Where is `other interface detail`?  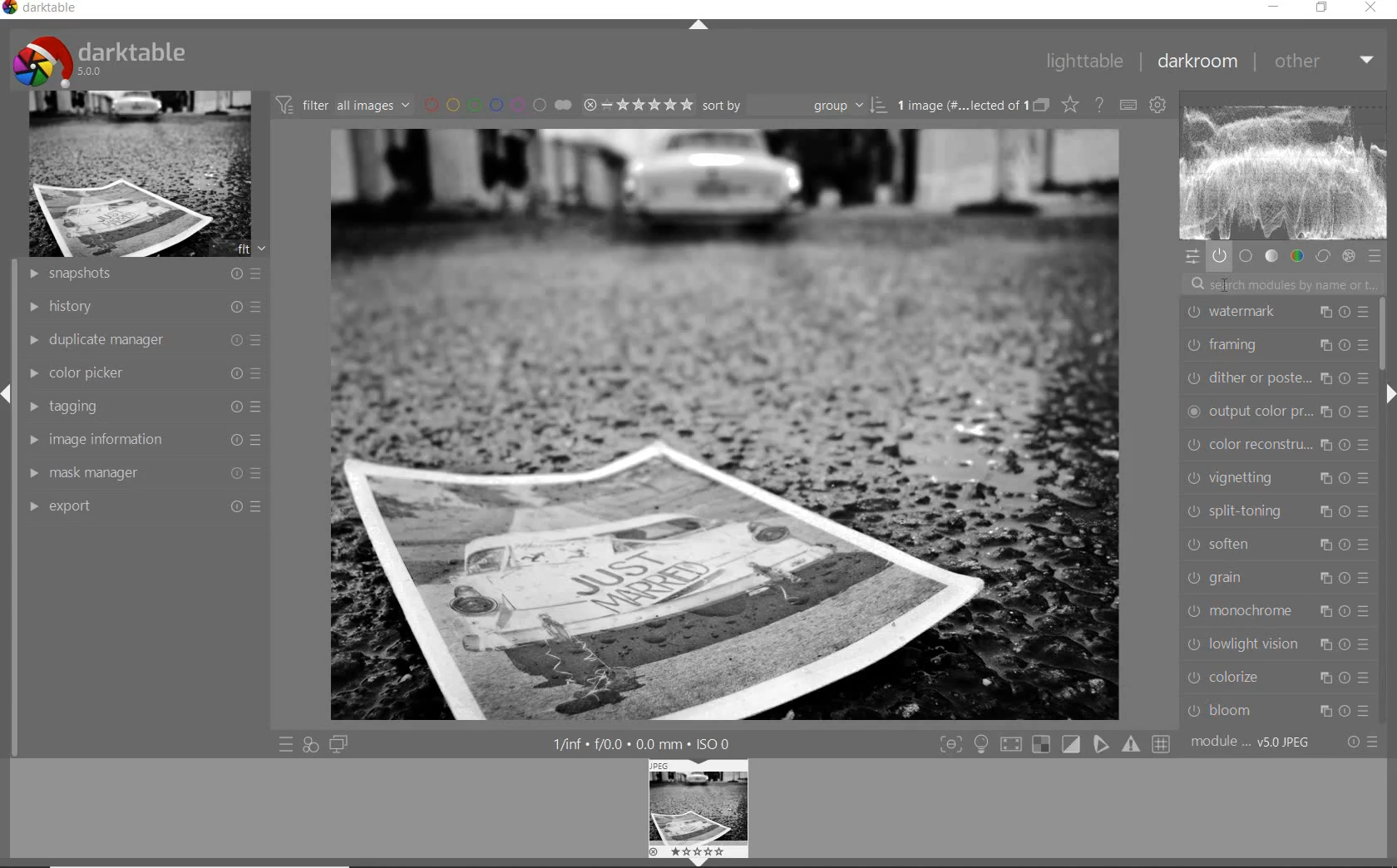 other interface detail is located at coordinates (642, 744).